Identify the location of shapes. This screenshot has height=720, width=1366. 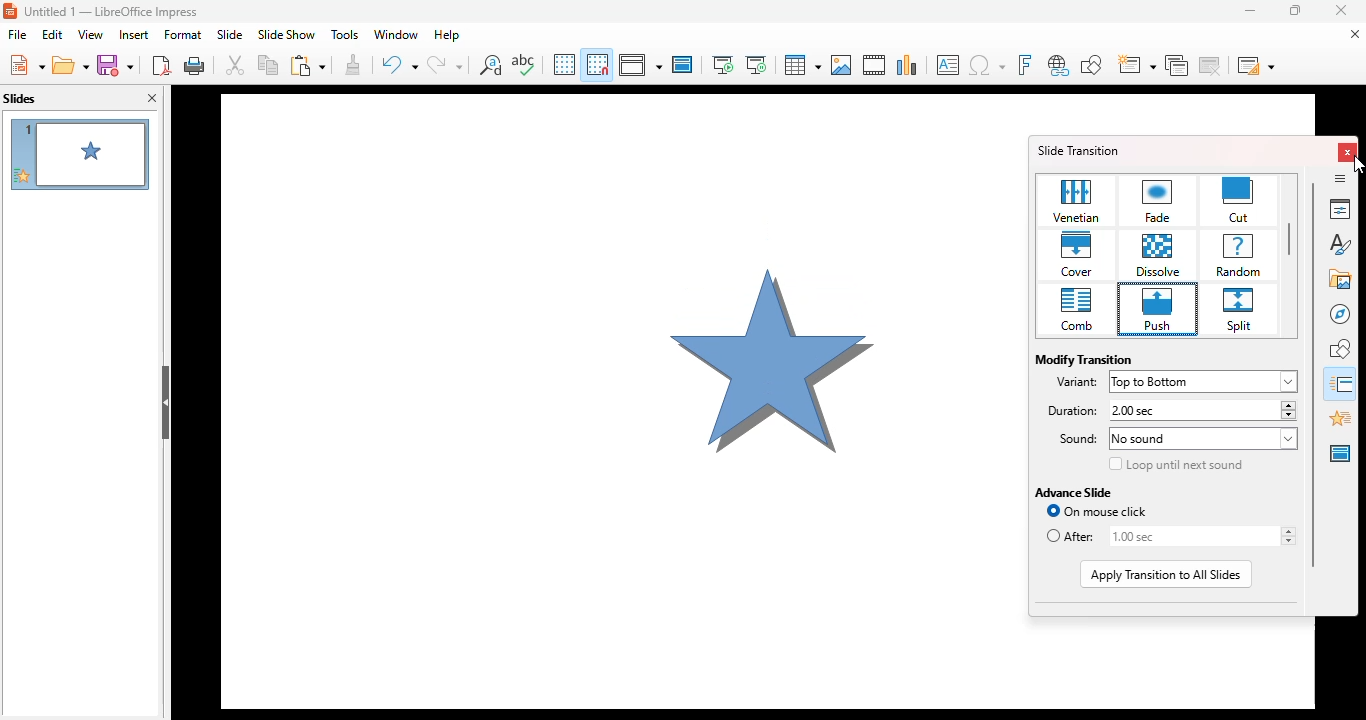
(1342, 348).